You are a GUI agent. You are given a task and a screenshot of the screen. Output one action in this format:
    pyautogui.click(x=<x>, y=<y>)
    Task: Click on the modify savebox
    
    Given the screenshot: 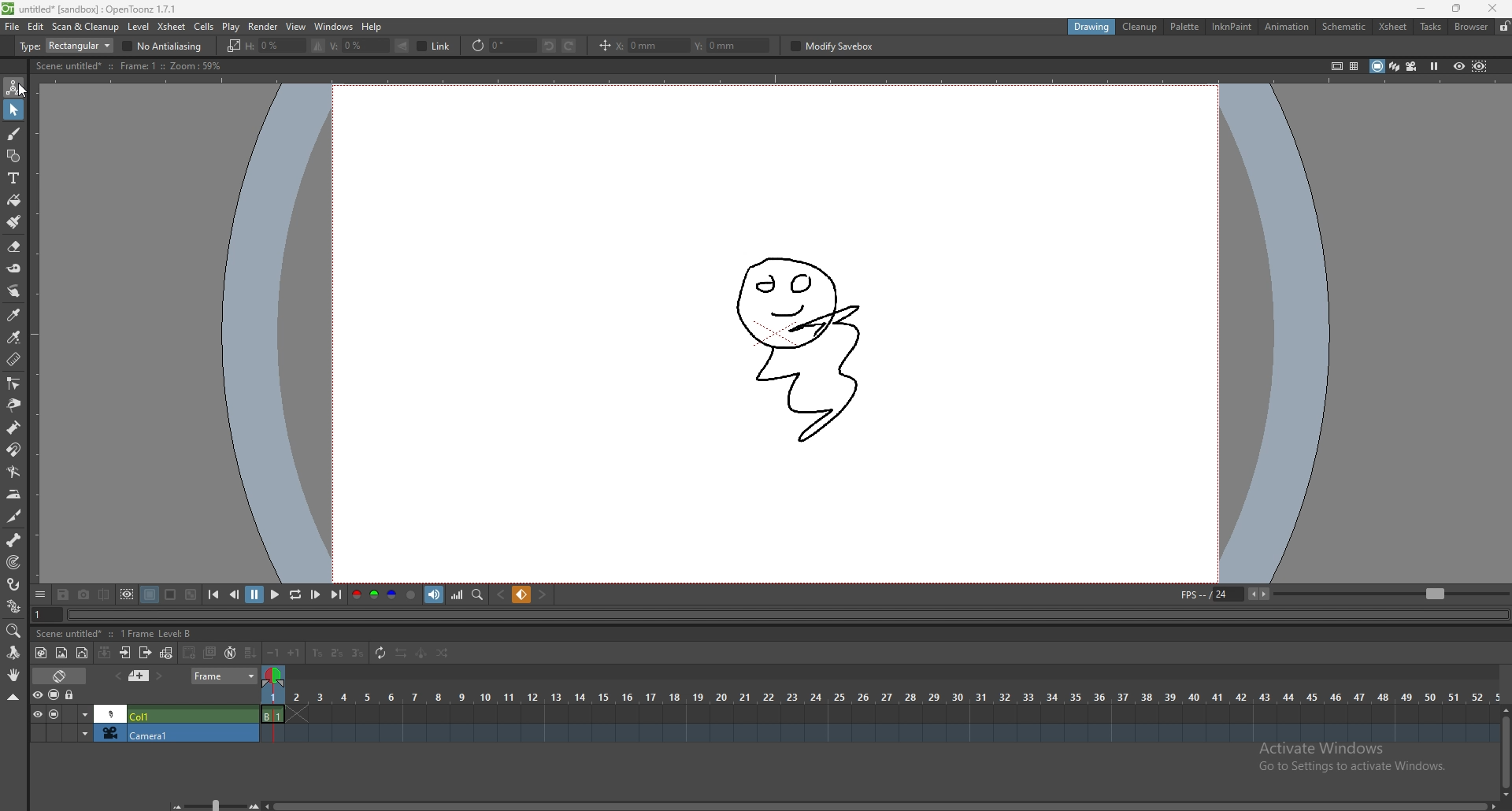 What is the action you would take?
    pyautogui.click(x=834, y=46)
    